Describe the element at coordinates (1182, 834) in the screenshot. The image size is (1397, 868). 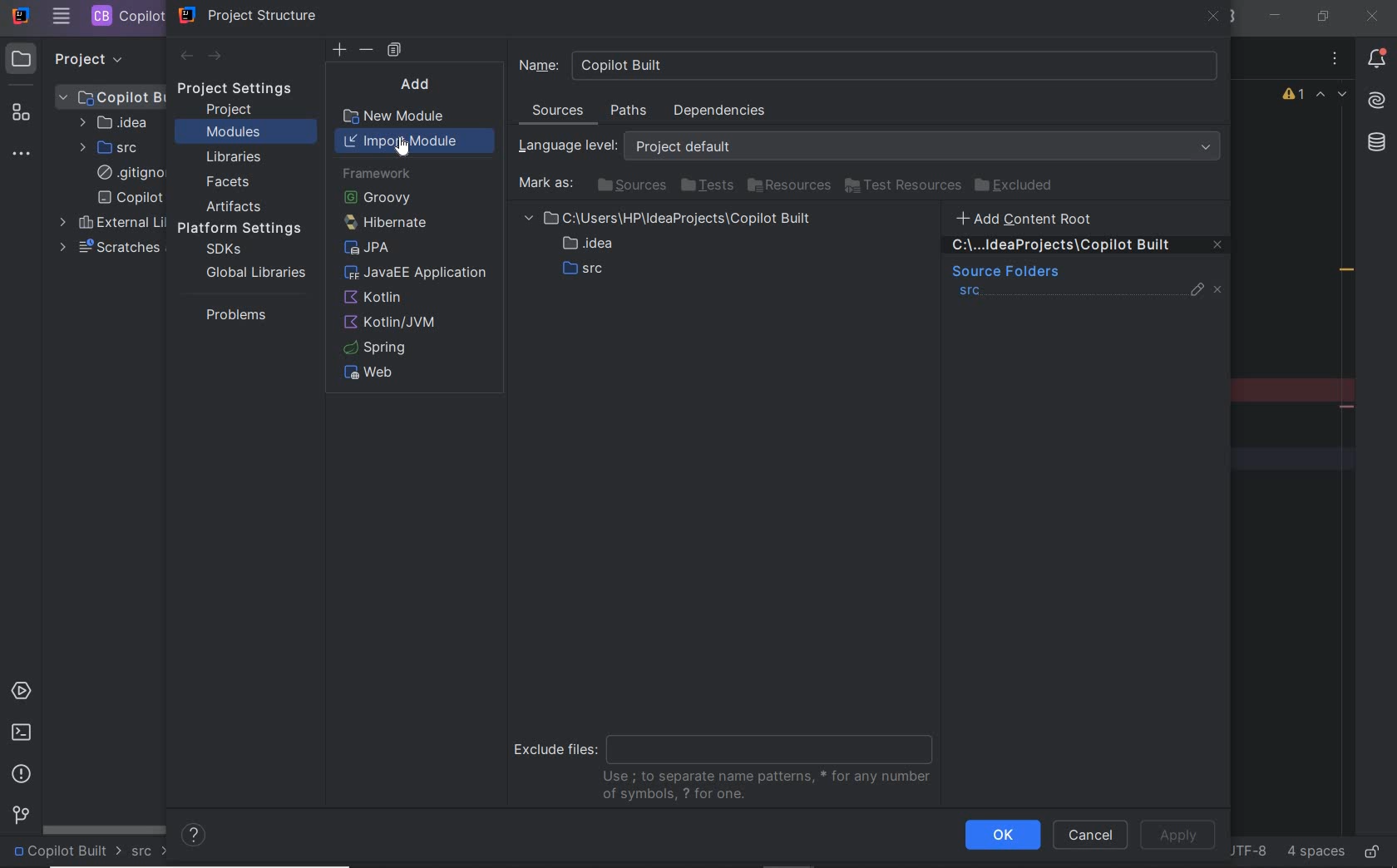
I see `apply` at that location.